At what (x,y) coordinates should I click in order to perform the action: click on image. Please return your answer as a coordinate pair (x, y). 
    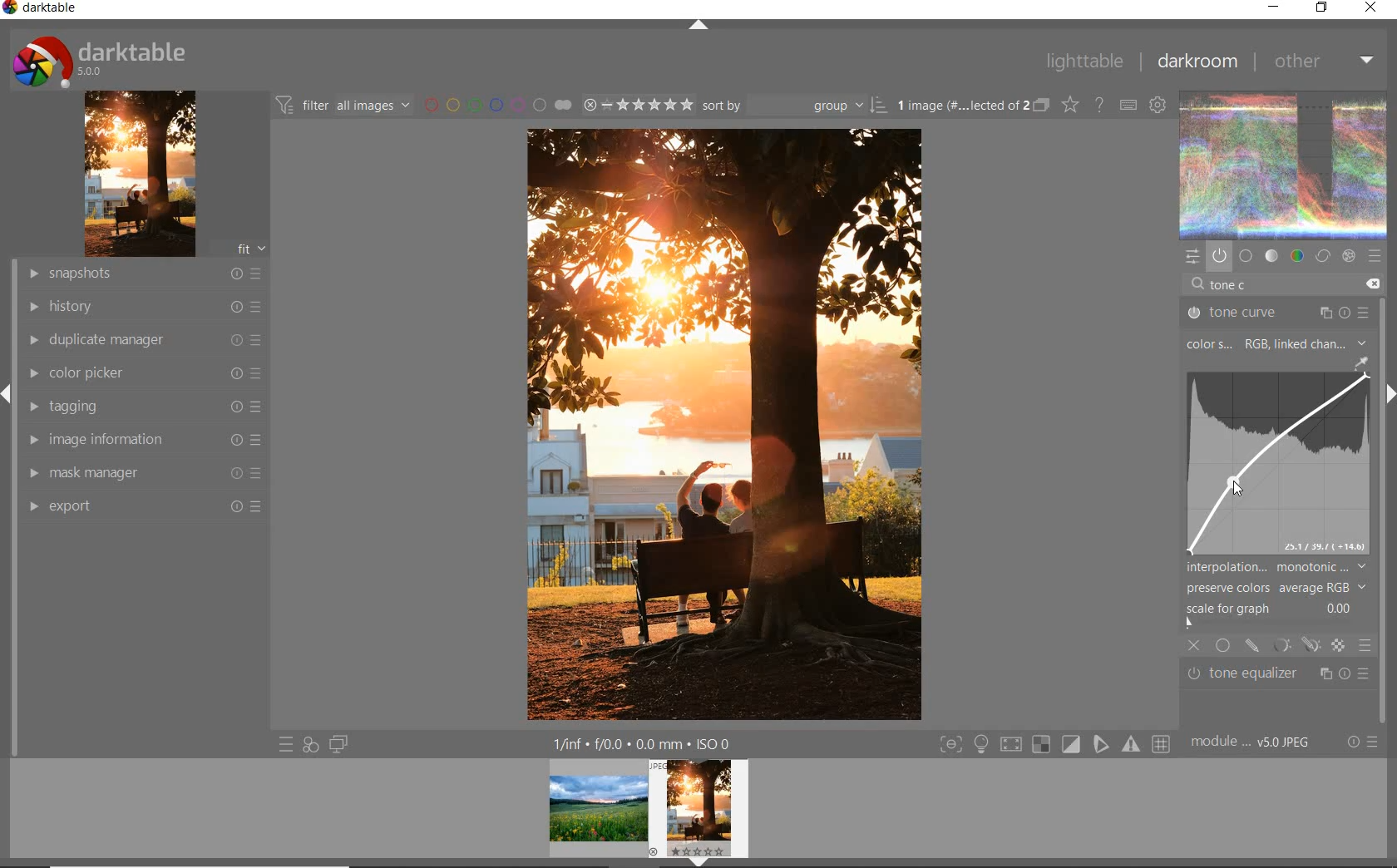
    Looking at the image, I should click on (1275, 470).